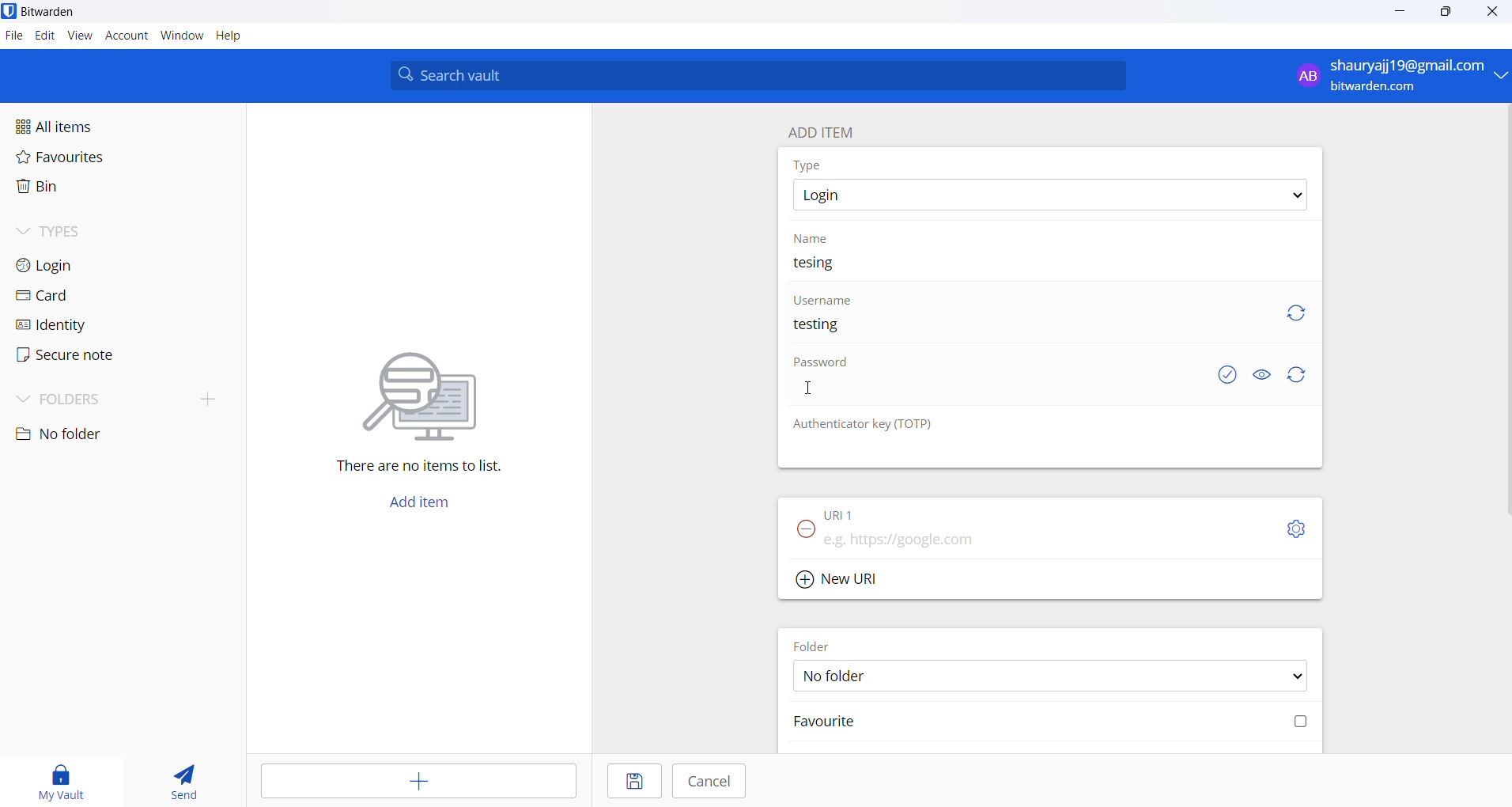 The height and width of the screenshot is (807, 1512). Describe the element at coordinates (108, 434) in the screenshot. I see `no folder` at that location.